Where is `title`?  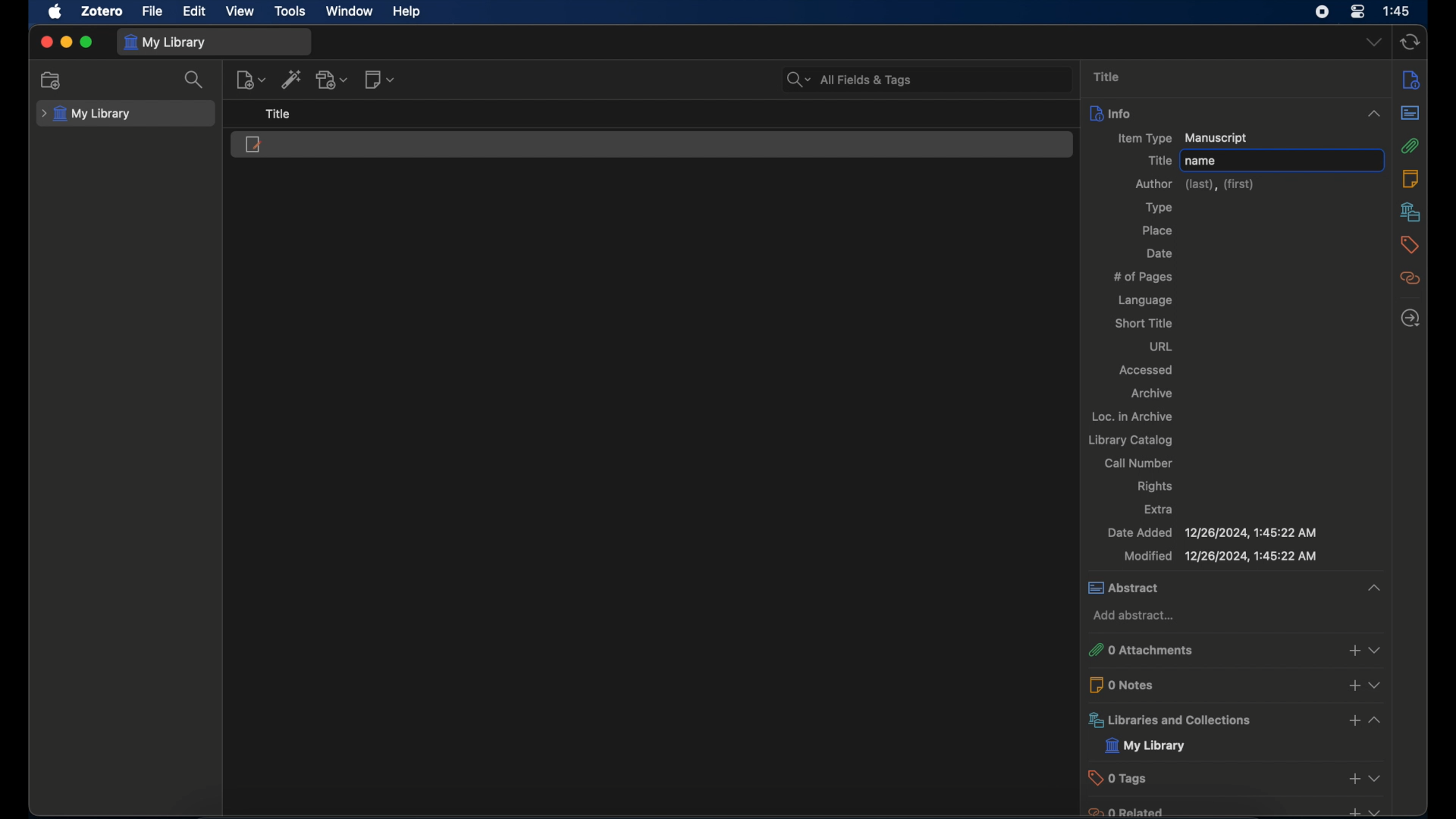
title is located at coordinates (1106, 77).